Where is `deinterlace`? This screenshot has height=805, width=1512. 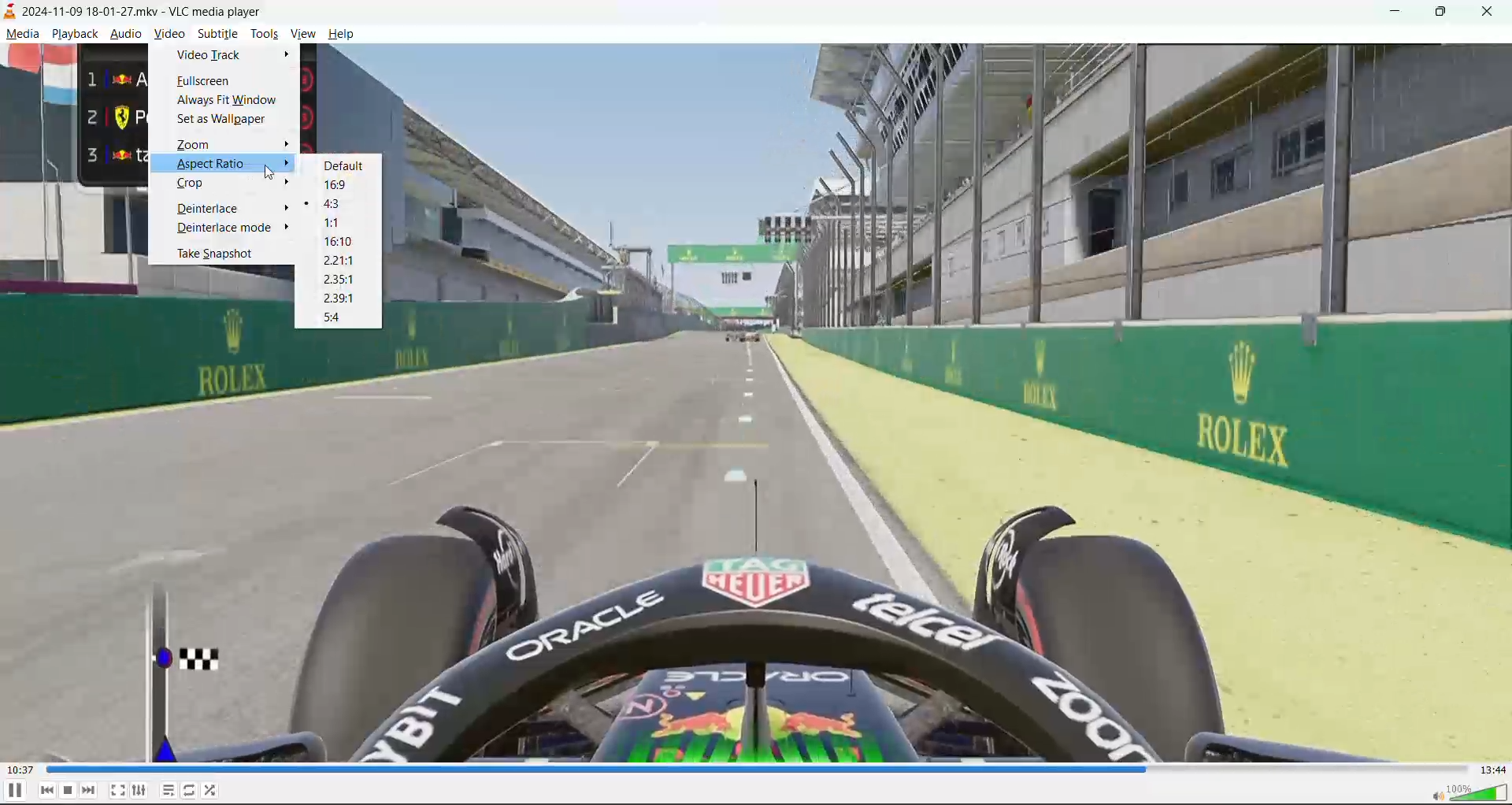
deinterlace is located at coordinates (214, 207).